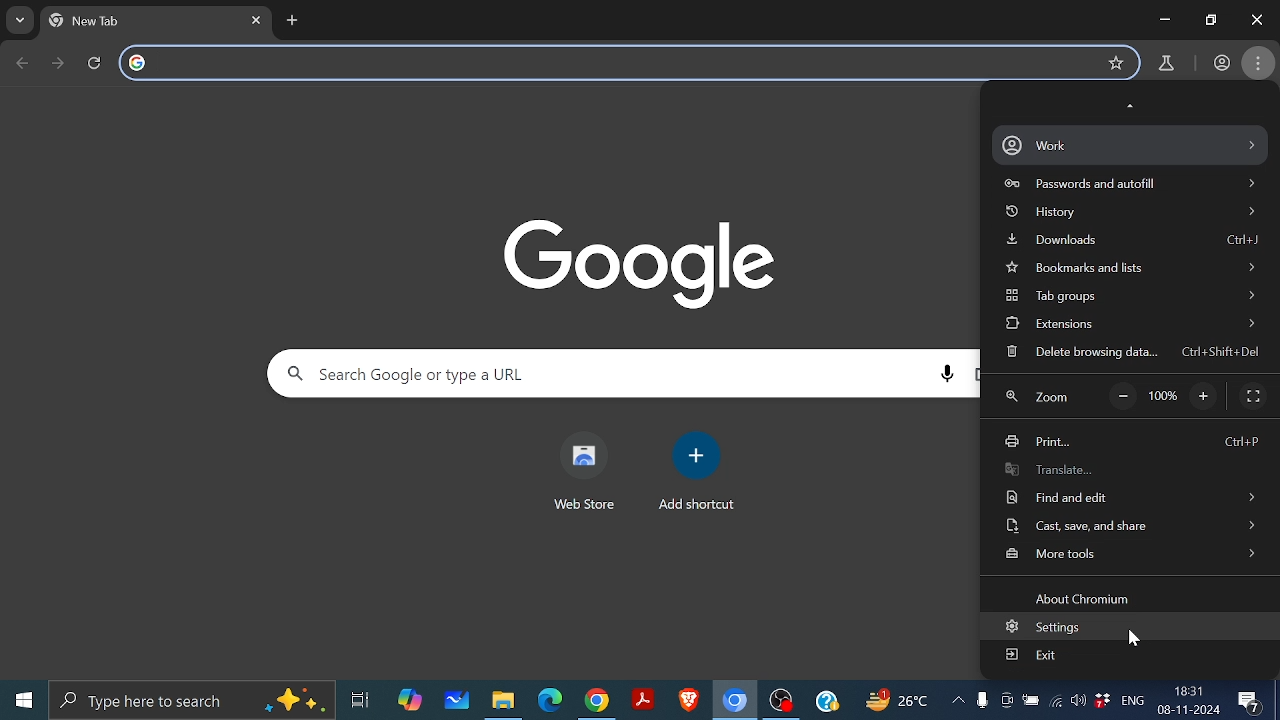  I want to click on History, so click(1135, 213).